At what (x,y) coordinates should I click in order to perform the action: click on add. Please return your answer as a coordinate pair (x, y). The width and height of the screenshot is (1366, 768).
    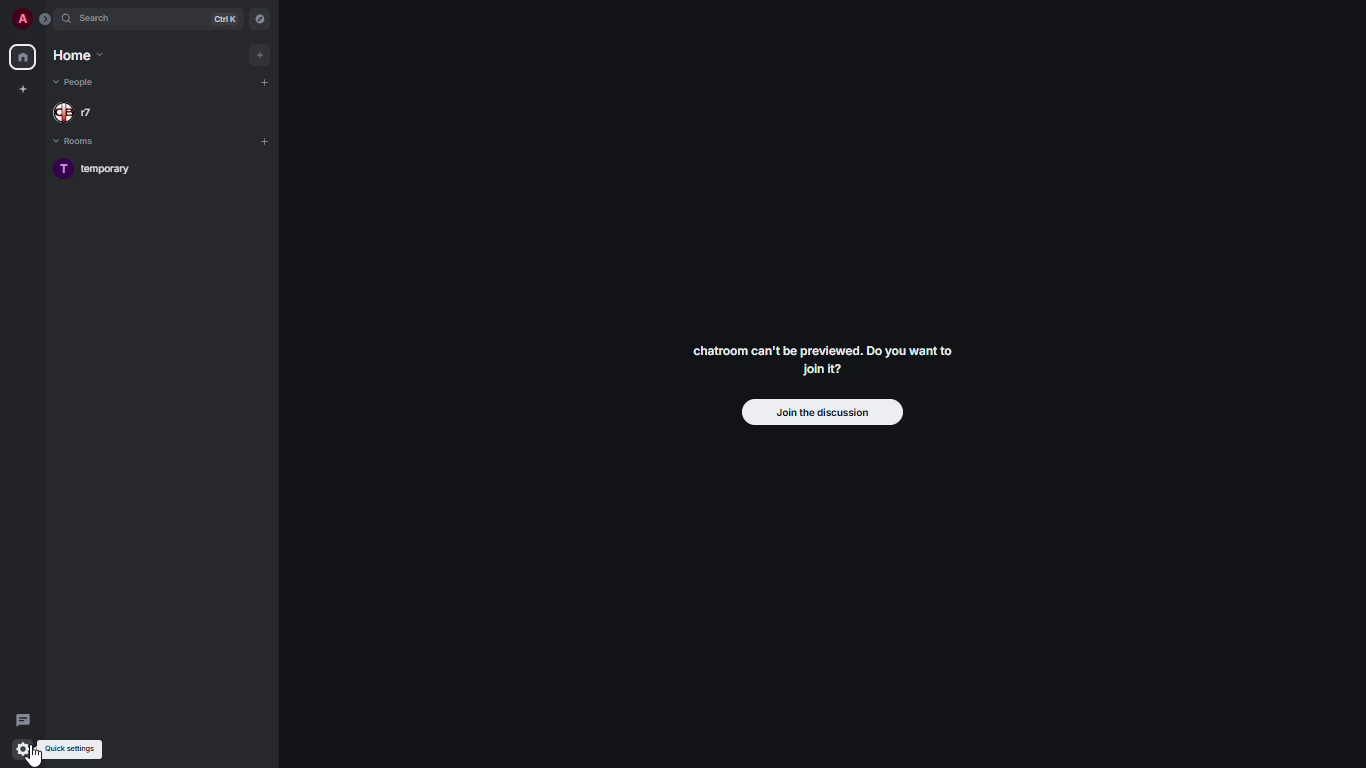
    Looking at the image, I should click on (267, 82).